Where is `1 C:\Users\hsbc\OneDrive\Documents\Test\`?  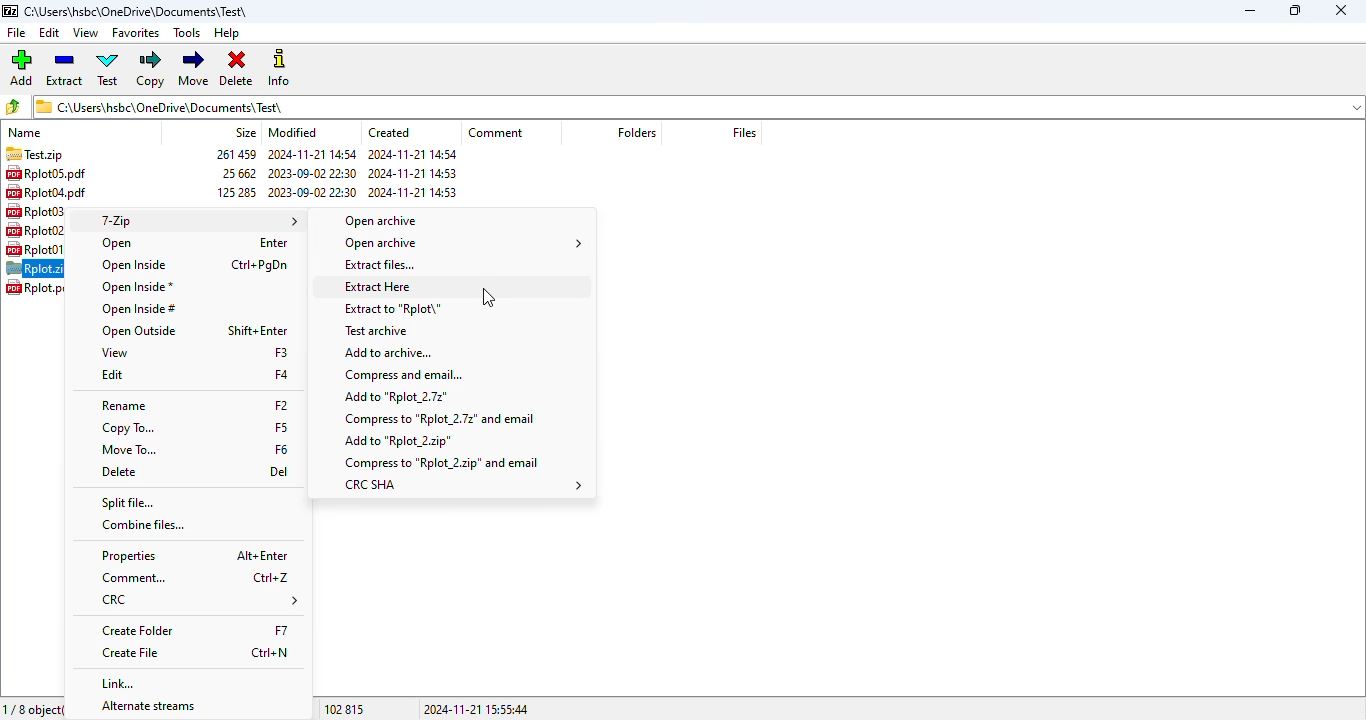 1 C:\Users\hsbc\OneDrive\Documents\Test\ is located at coordinates (700, 107).